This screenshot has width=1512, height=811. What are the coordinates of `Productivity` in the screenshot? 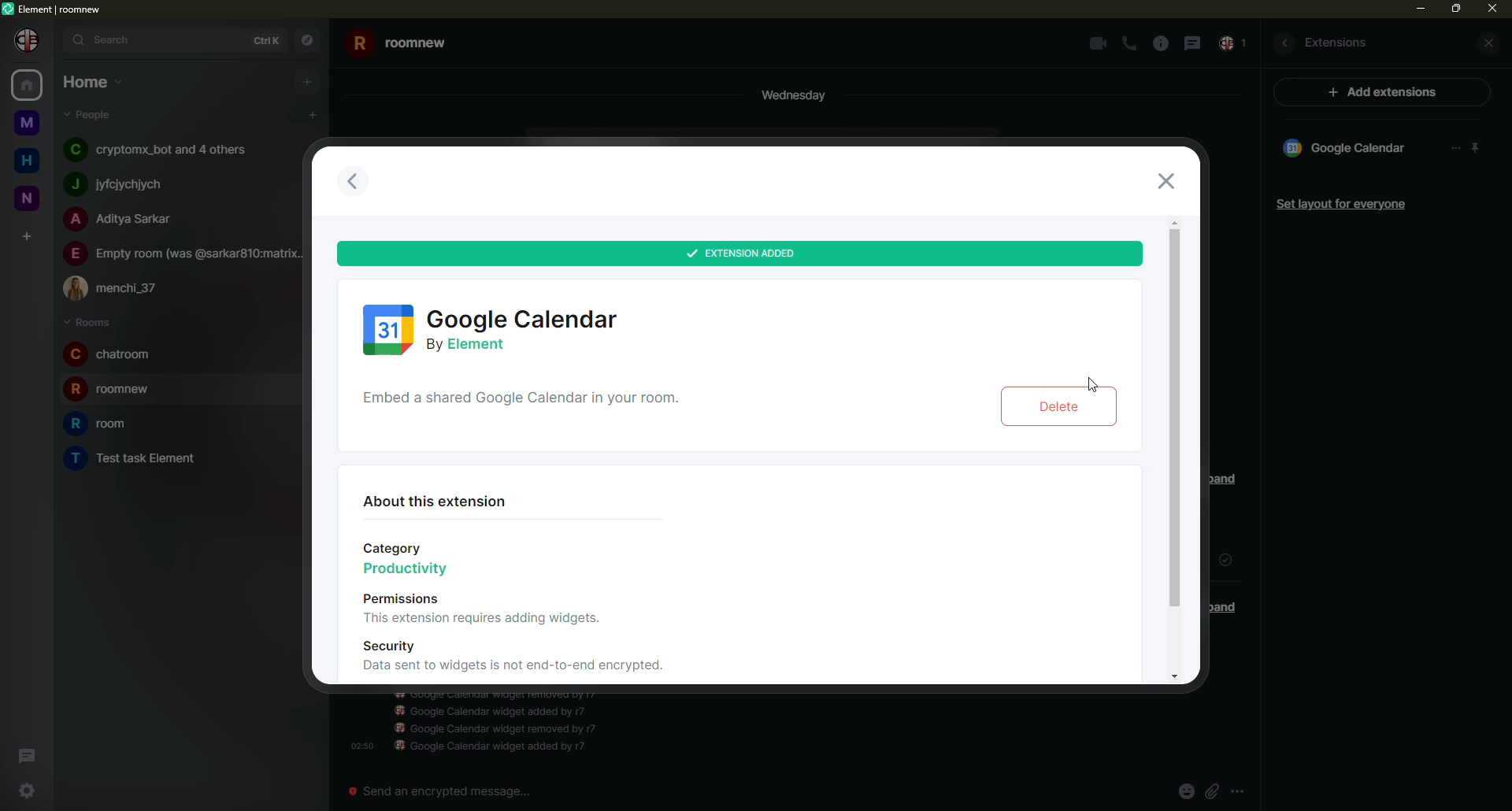 It's located at (403, 568).